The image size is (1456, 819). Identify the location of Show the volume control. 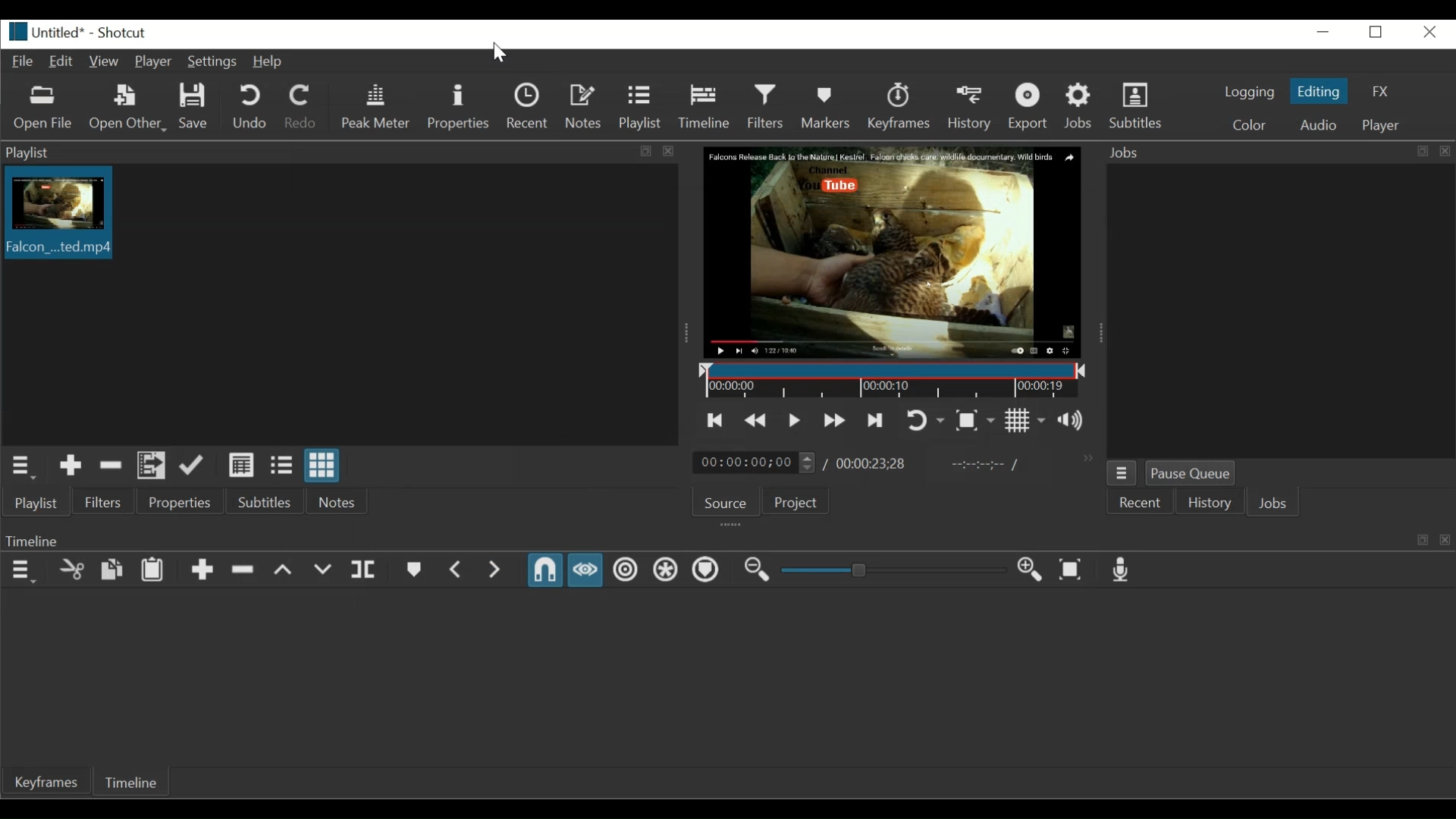
(1075, 419).